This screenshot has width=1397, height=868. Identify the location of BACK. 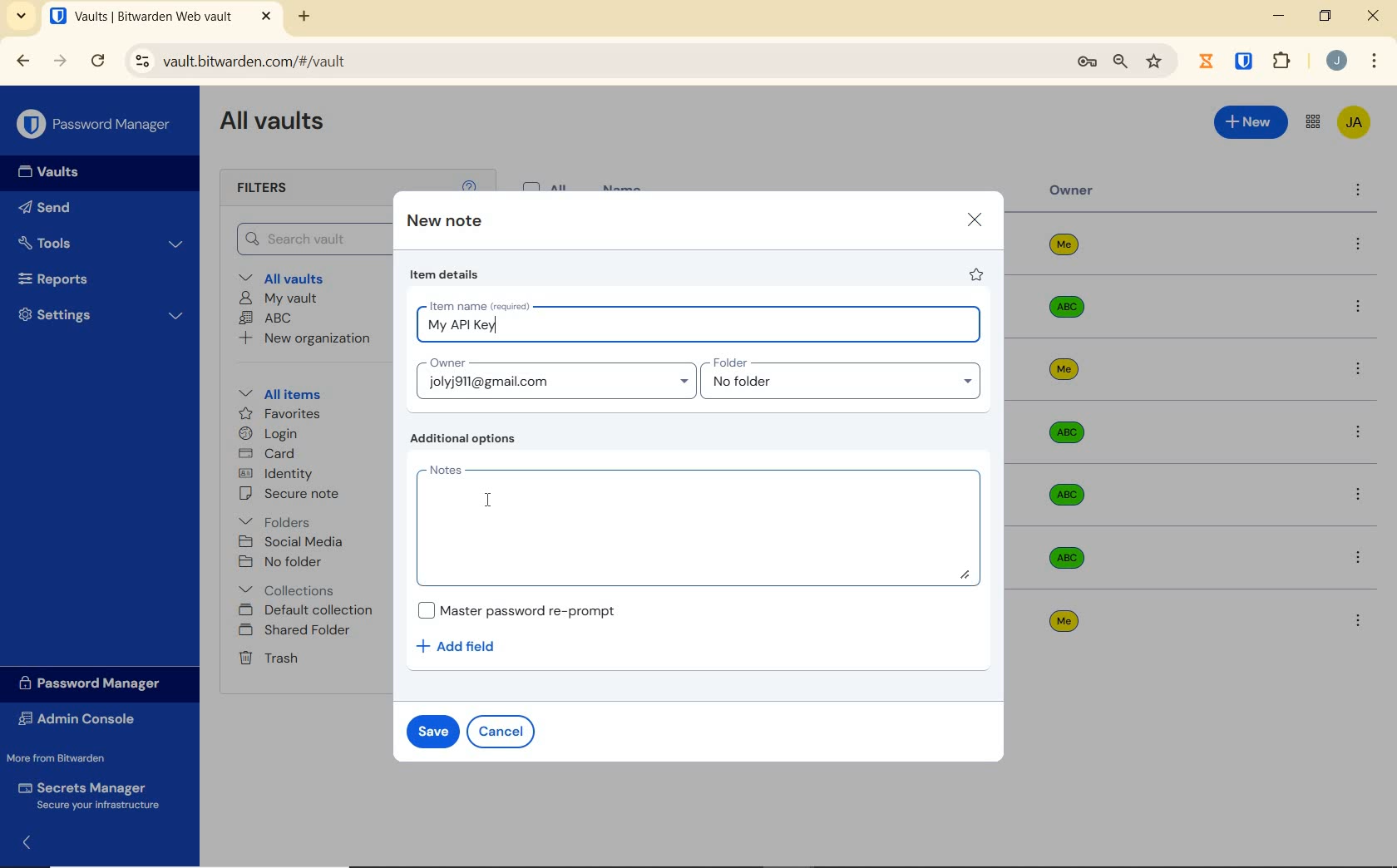
(23, 60).